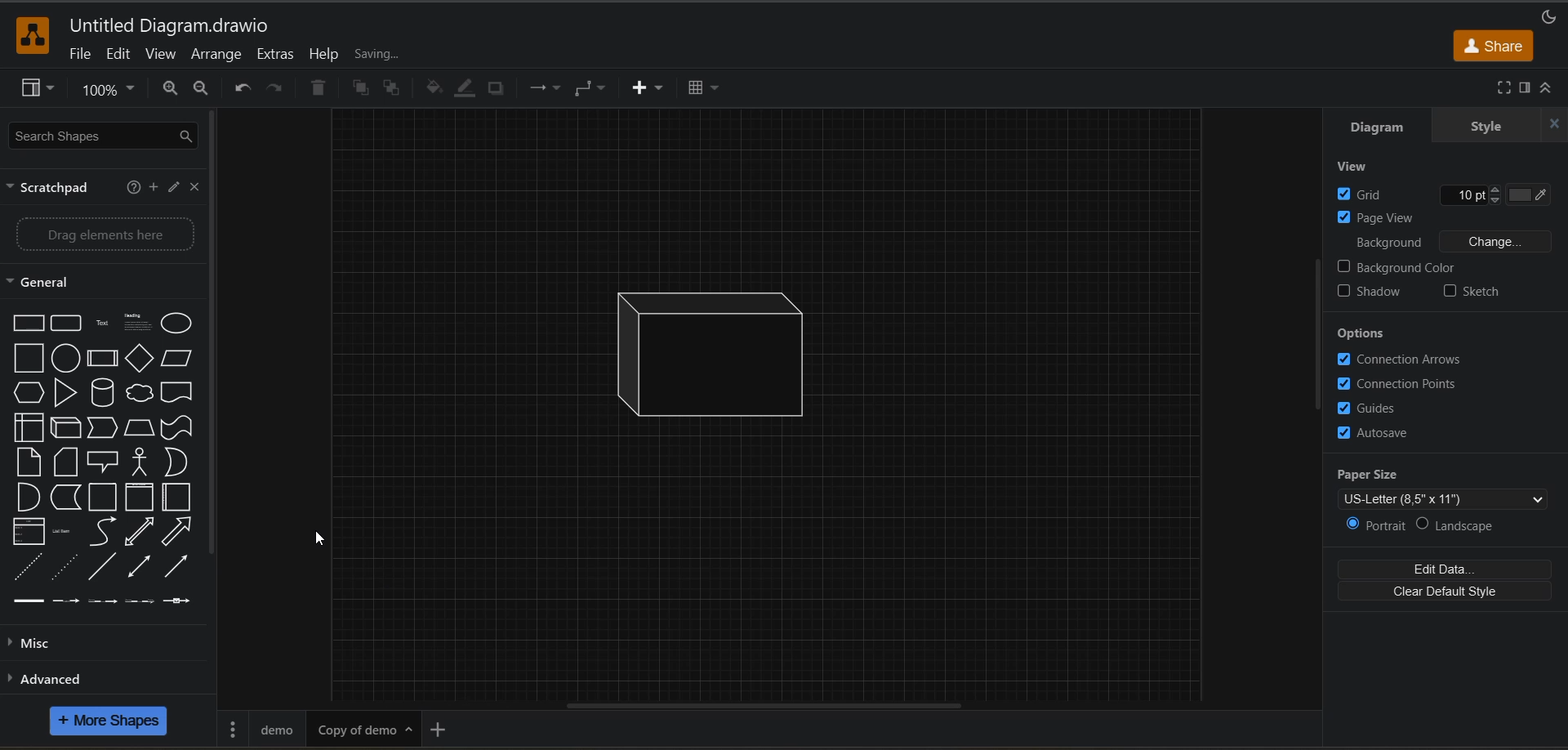 This screenshot has height=750, width=1568. I want to click on help, so click(136, 188).